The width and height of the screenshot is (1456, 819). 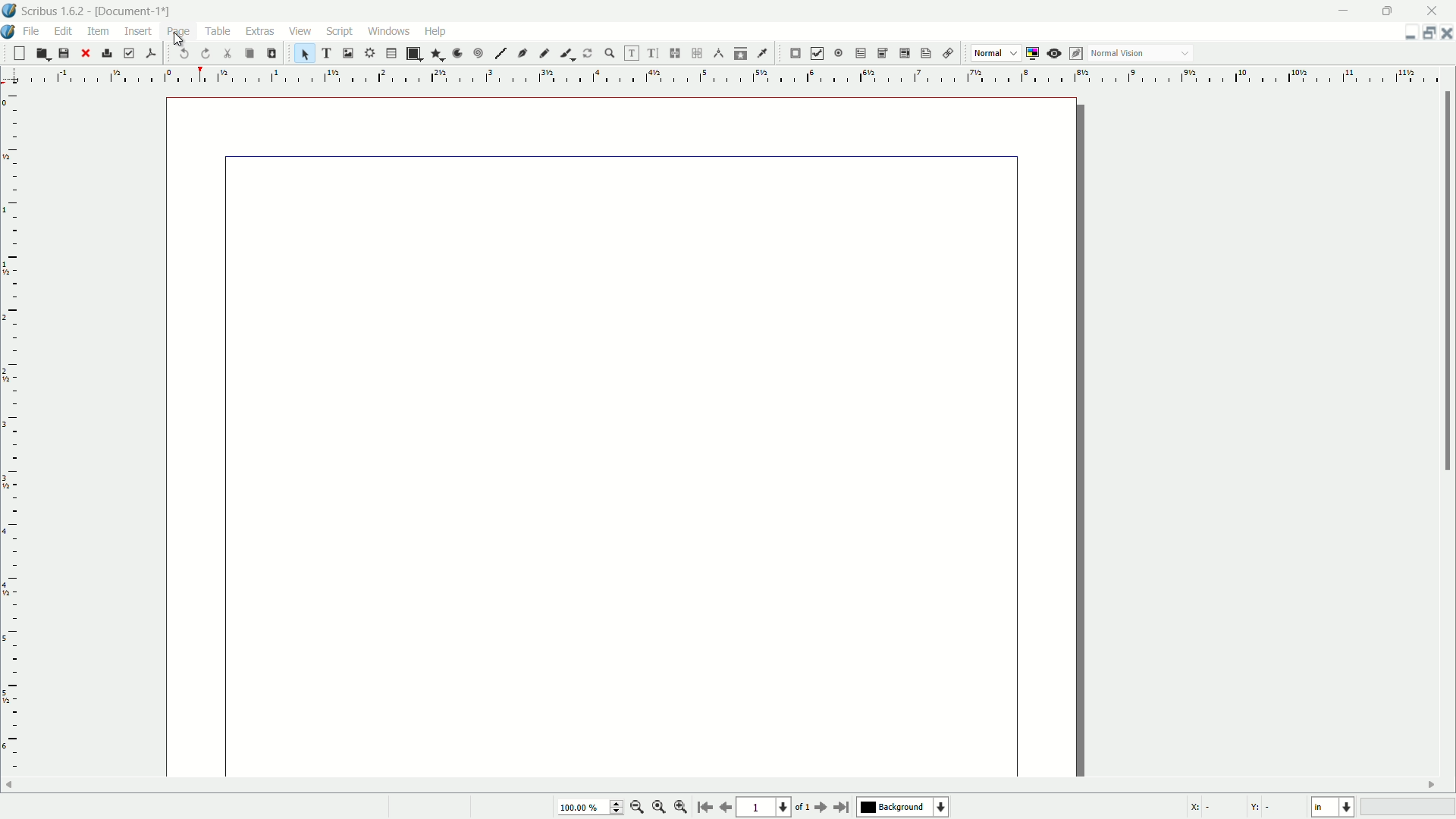 What do you see at coordinates (139, 30) in the screenshot?
I see `insert menu` at bounding box center [139, 30].